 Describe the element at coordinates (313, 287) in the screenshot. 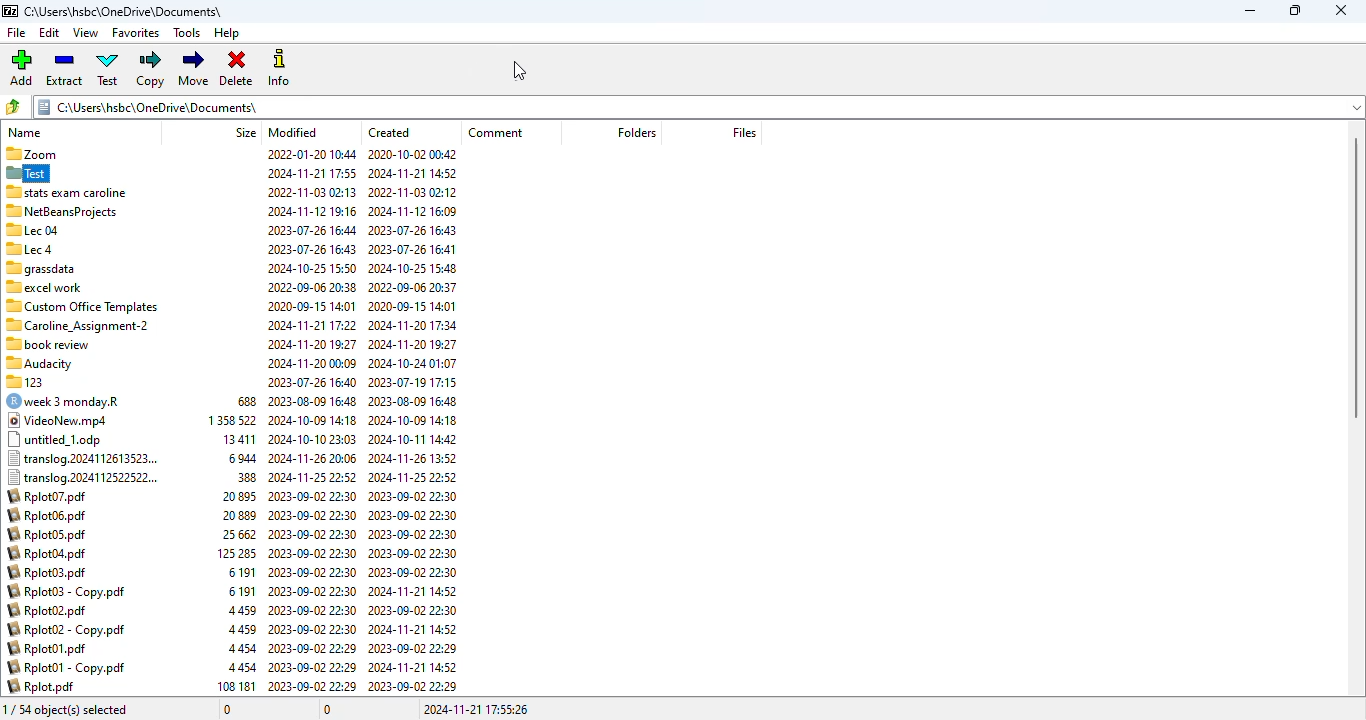

I see `2022-09-06 20:38` at that location.